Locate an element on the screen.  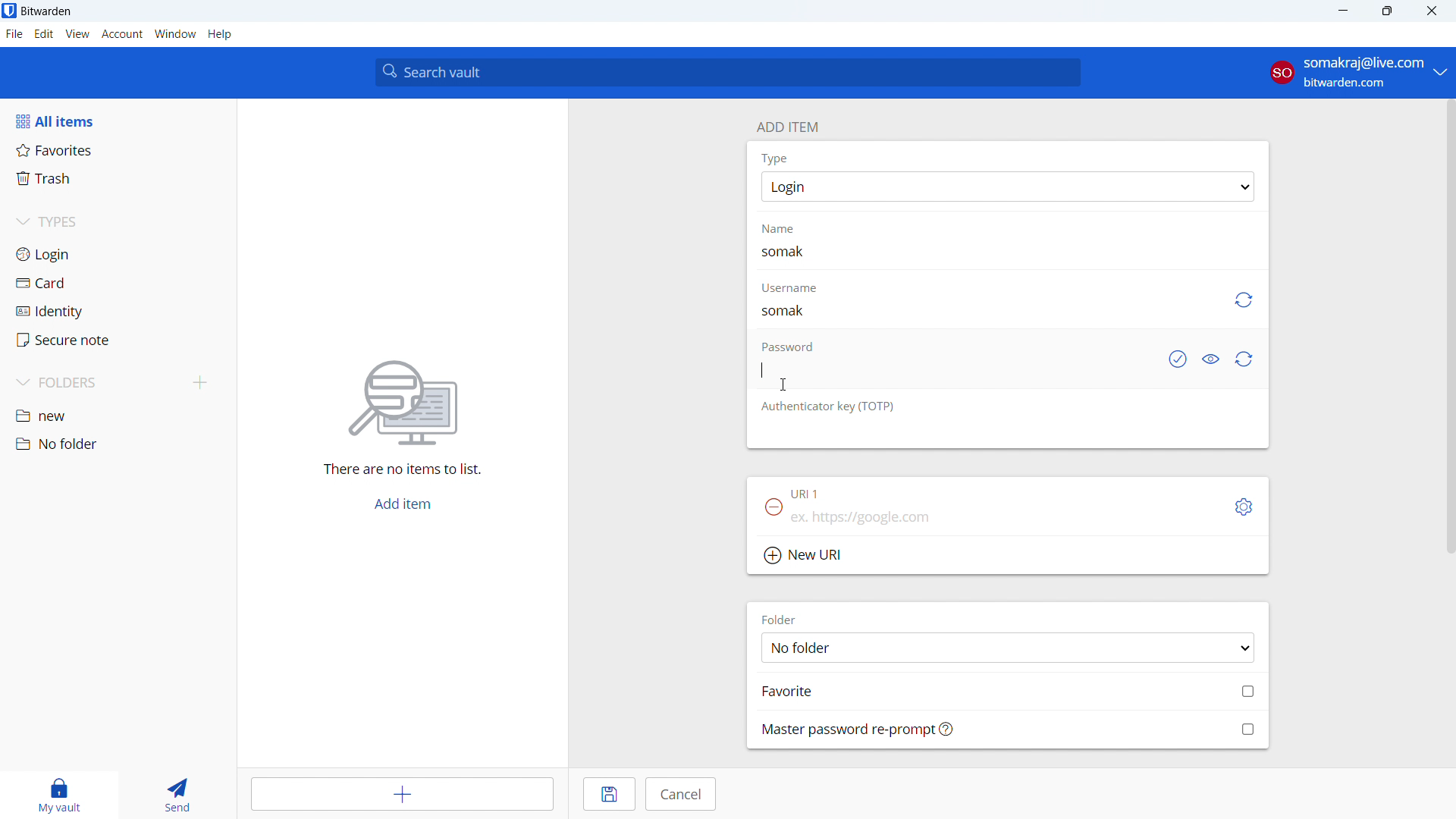
cursor is located at coordinates (784, 384).